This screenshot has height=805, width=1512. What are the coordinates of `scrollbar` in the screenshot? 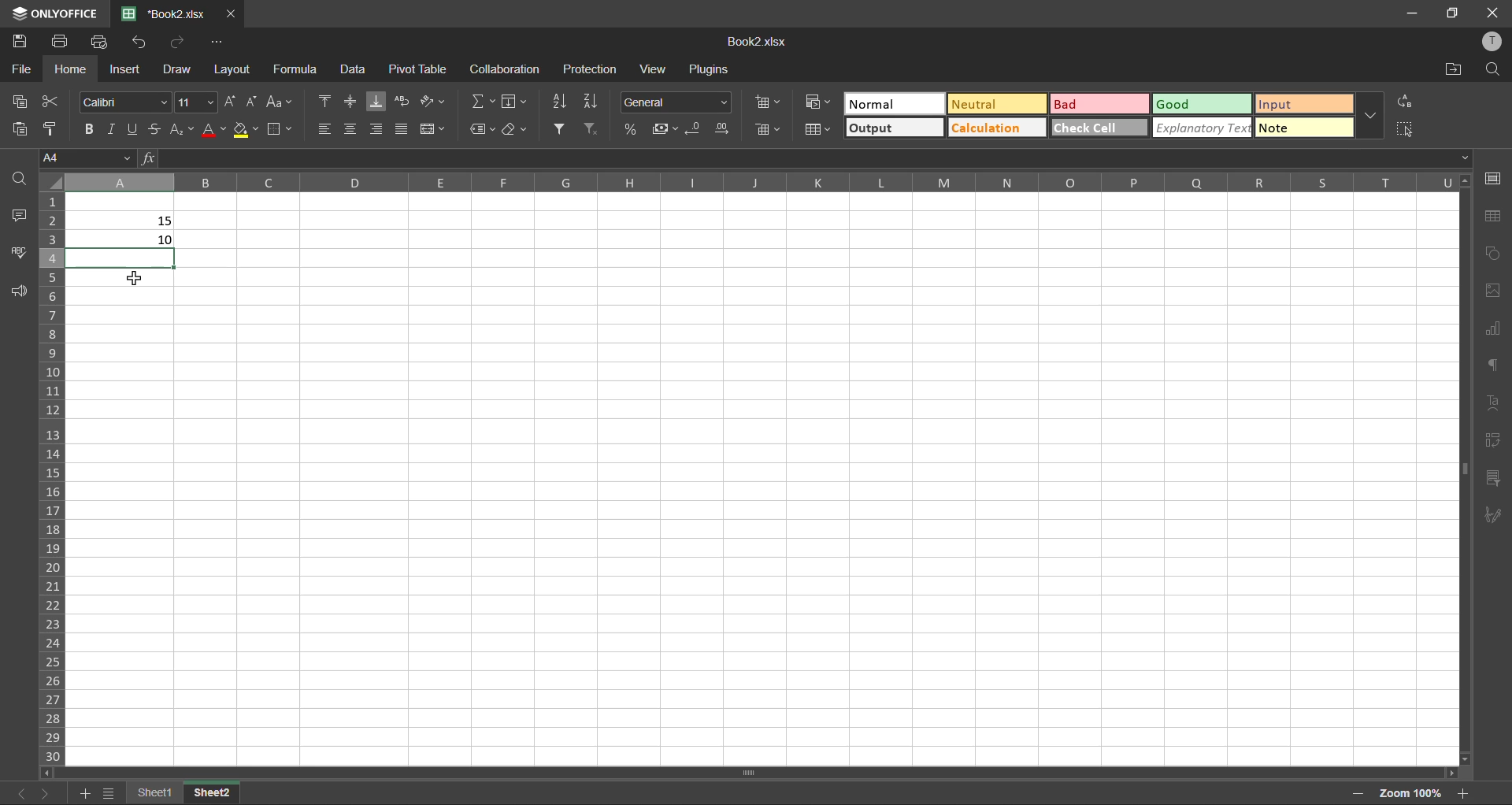 It's located at (1464, 466).